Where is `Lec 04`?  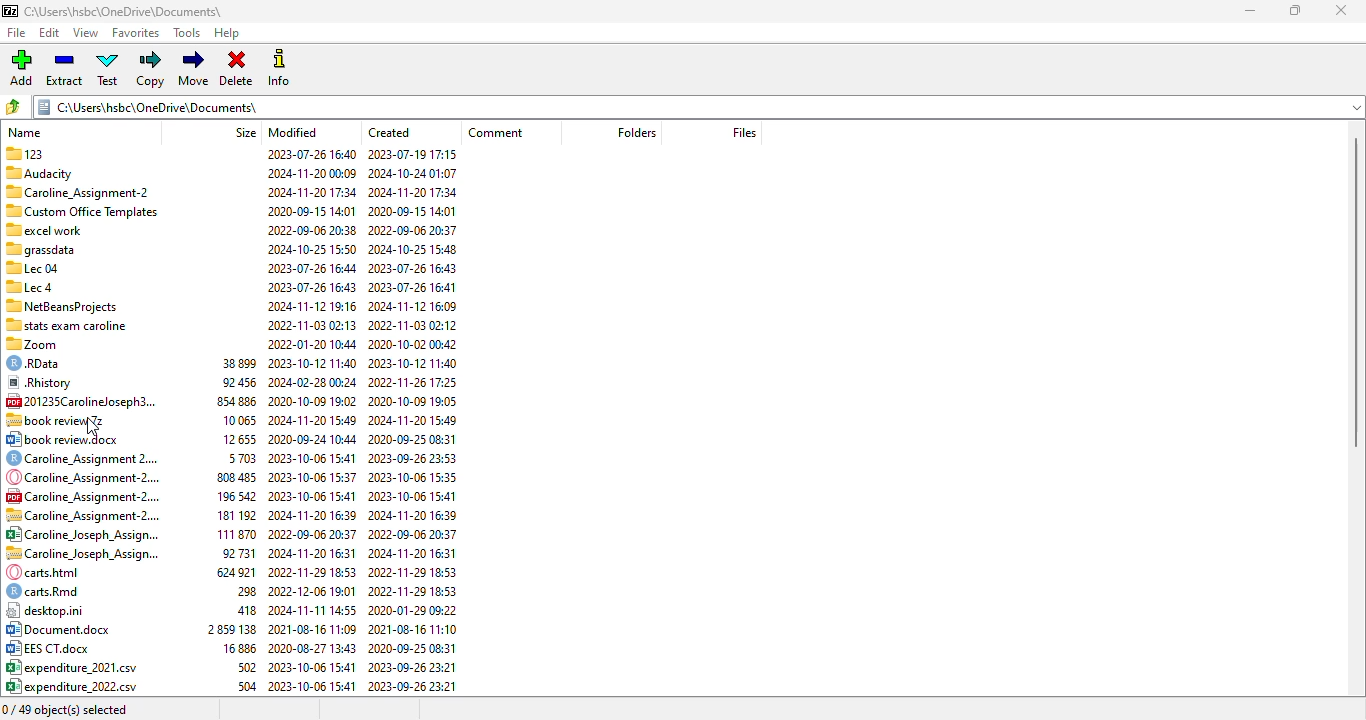 Lec 04 is located at coordinates (32, 267).